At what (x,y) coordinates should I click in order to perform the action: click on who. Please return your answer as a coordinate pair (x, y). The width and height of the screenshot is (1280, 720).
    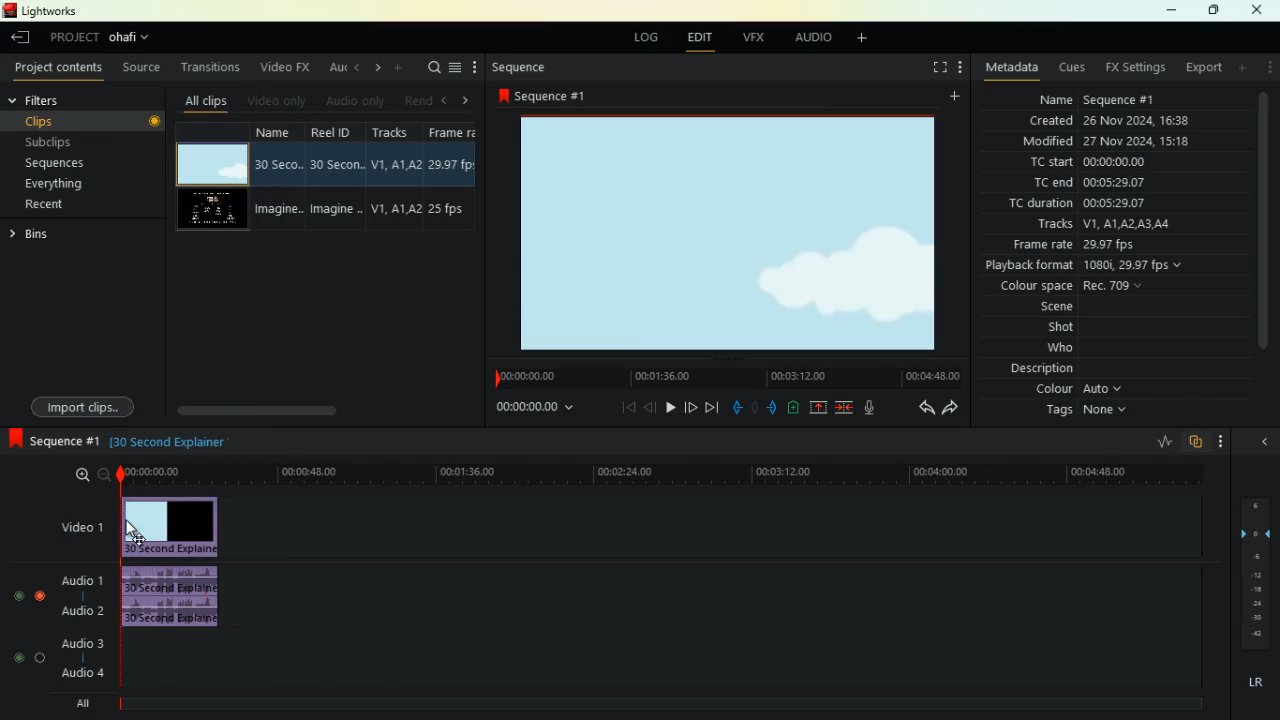
    Looking at the image, I should click on (1048, 349).